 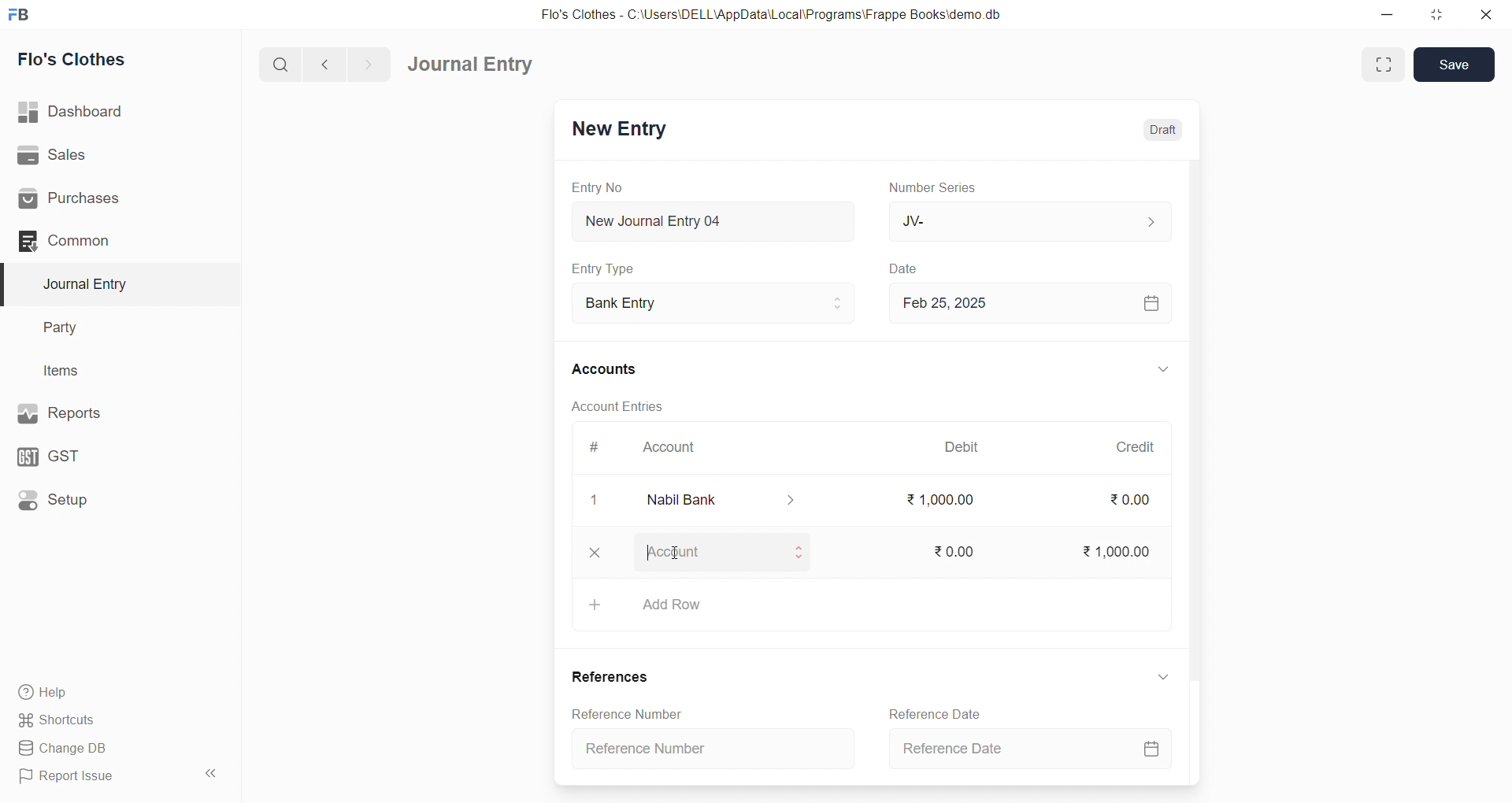 I want to click on Bank Entry, so click(x=712, y=304).